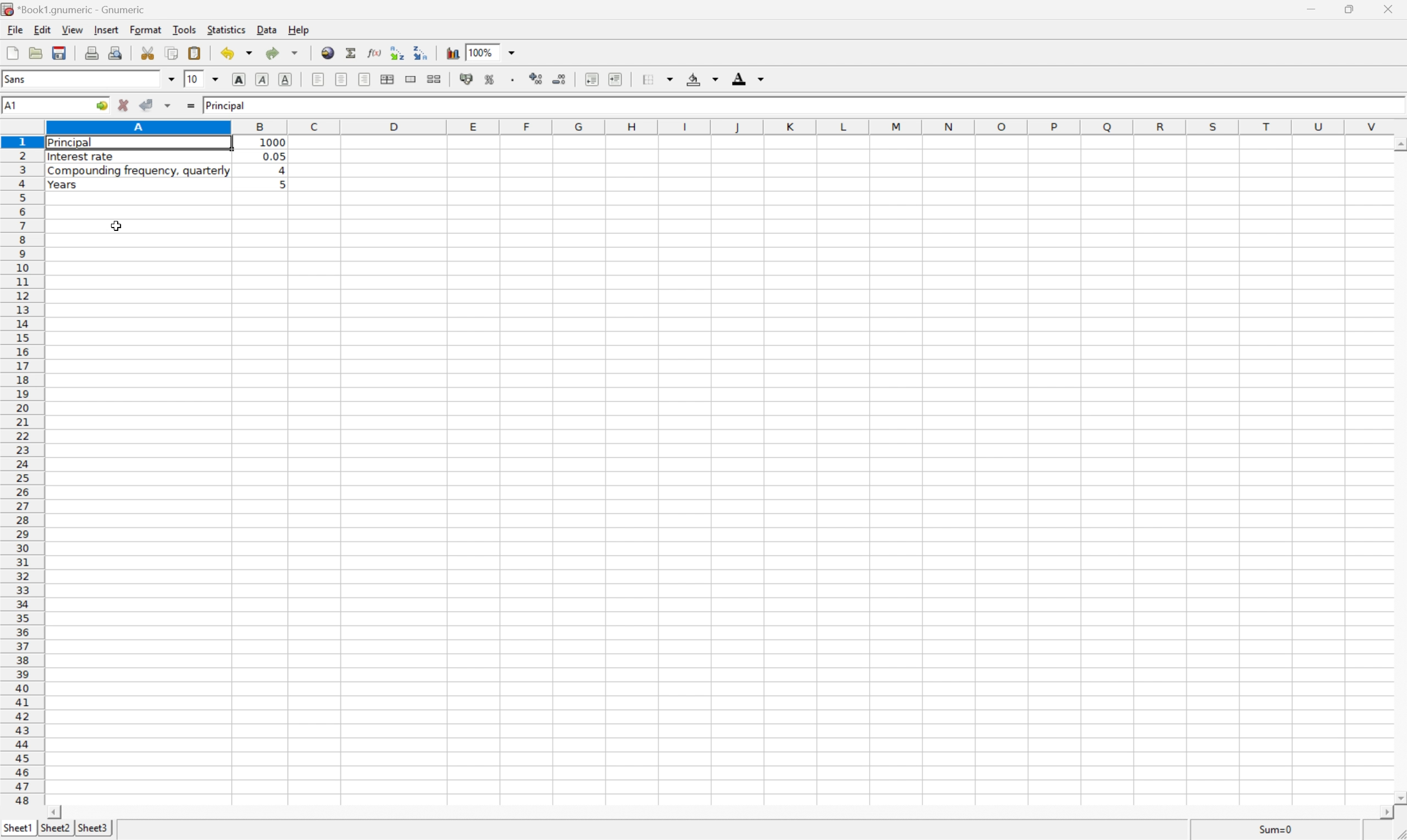 Image resolution: width=1407 pixels, height=840 pixels. What do you see at coordinates (375, 53) in the screenshot?
I see `edit function in current cell` at bounding box center [375, 53].